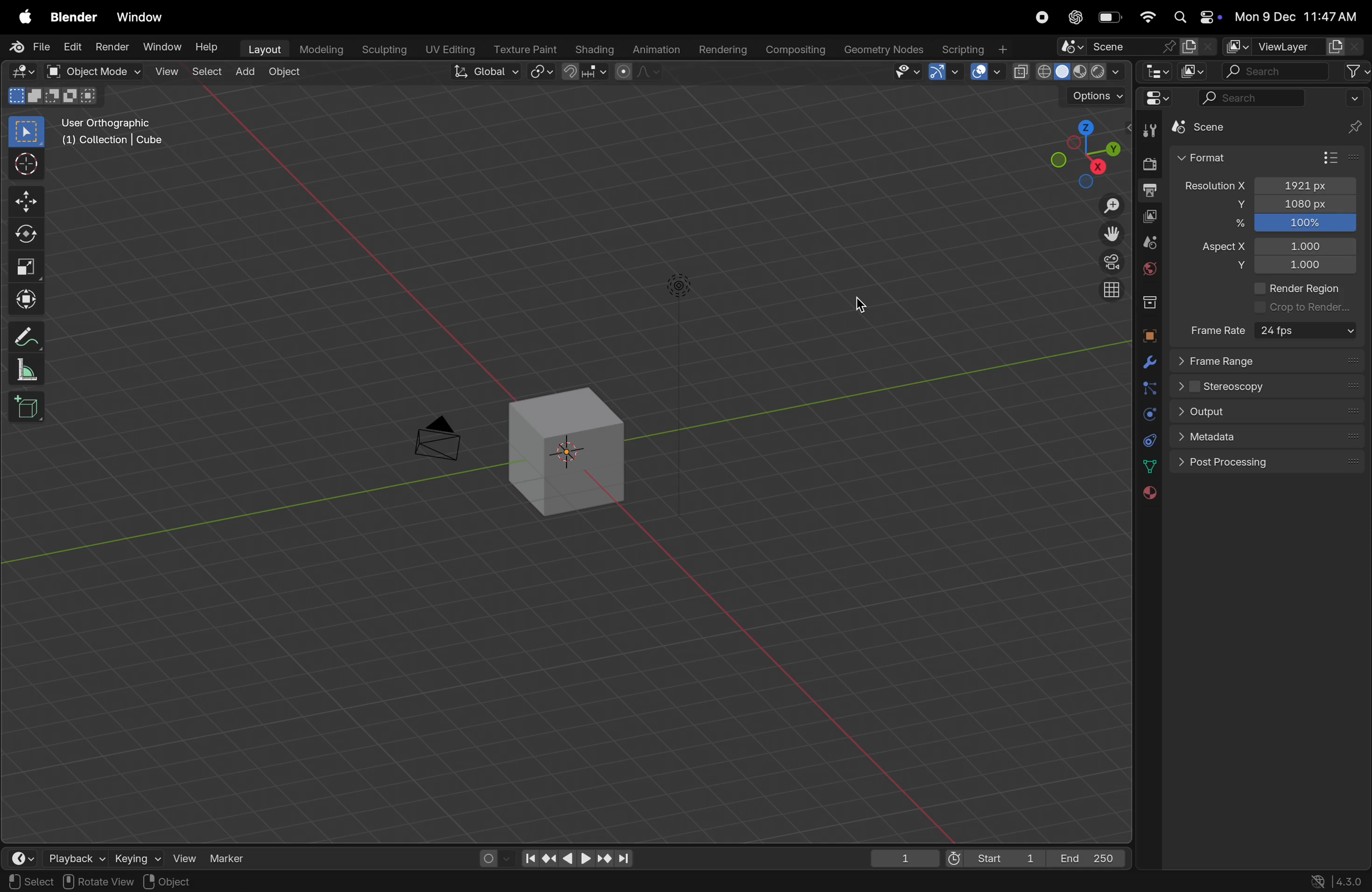  I want to click on !920 presets, so click(1304, 186).